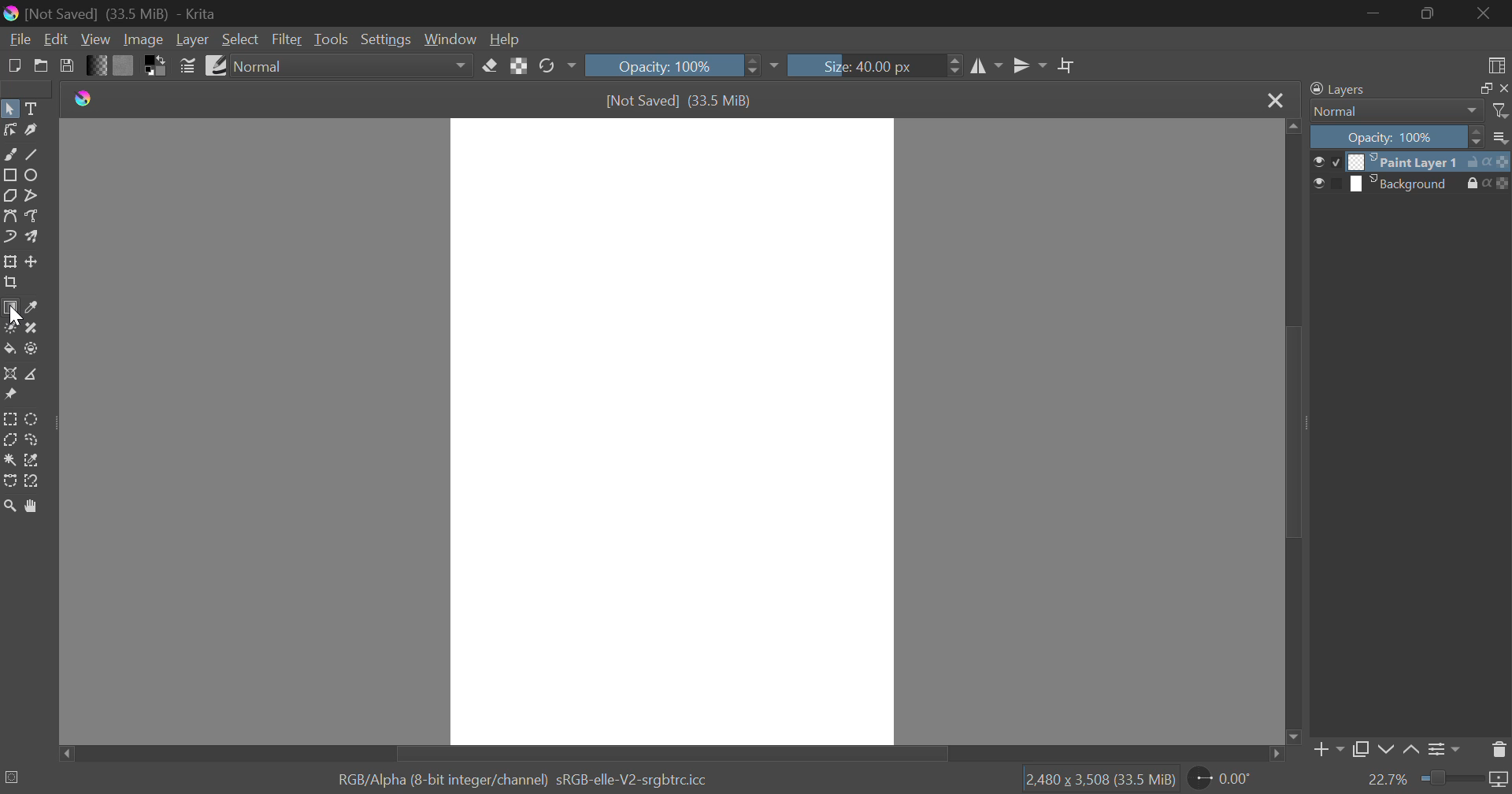 This screenshot has width=1512, height=794. What do you see at coordinates (354, 66) in the screenshot?
I see `Normal` at bounding box center [354, 66].